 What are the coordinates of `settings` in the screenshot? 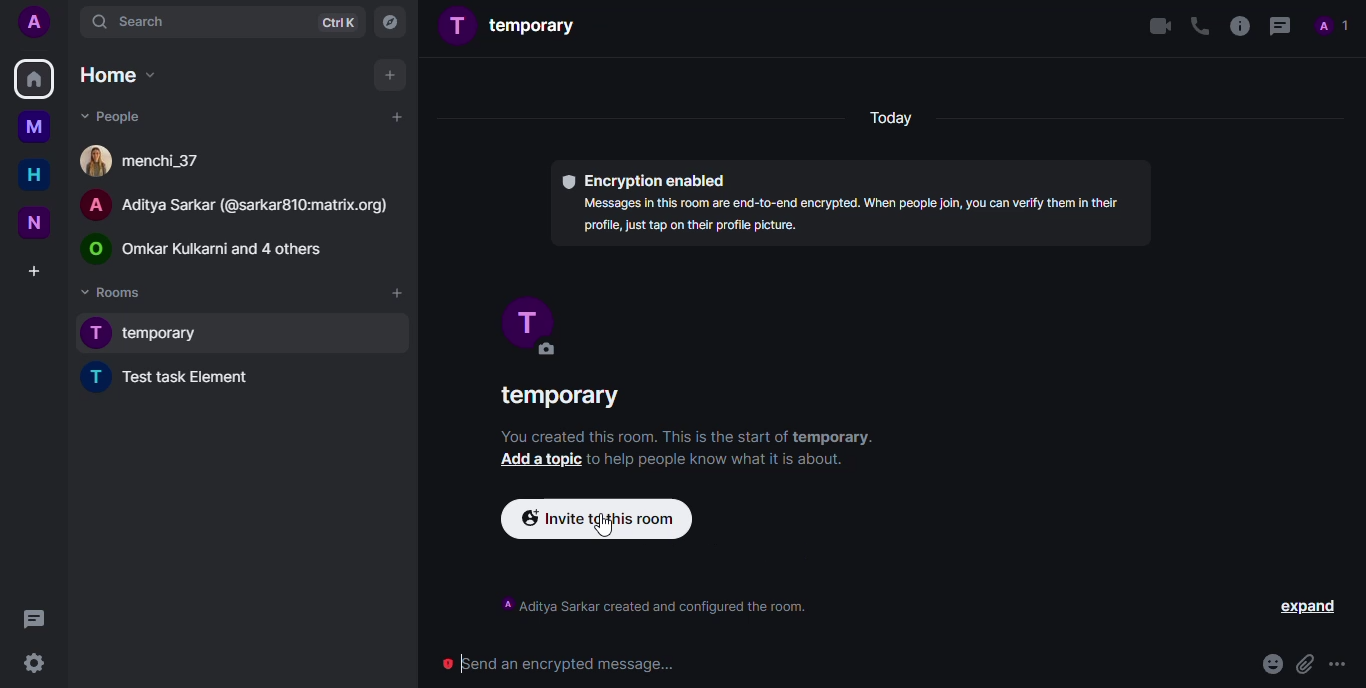 It's located at (34, 663).